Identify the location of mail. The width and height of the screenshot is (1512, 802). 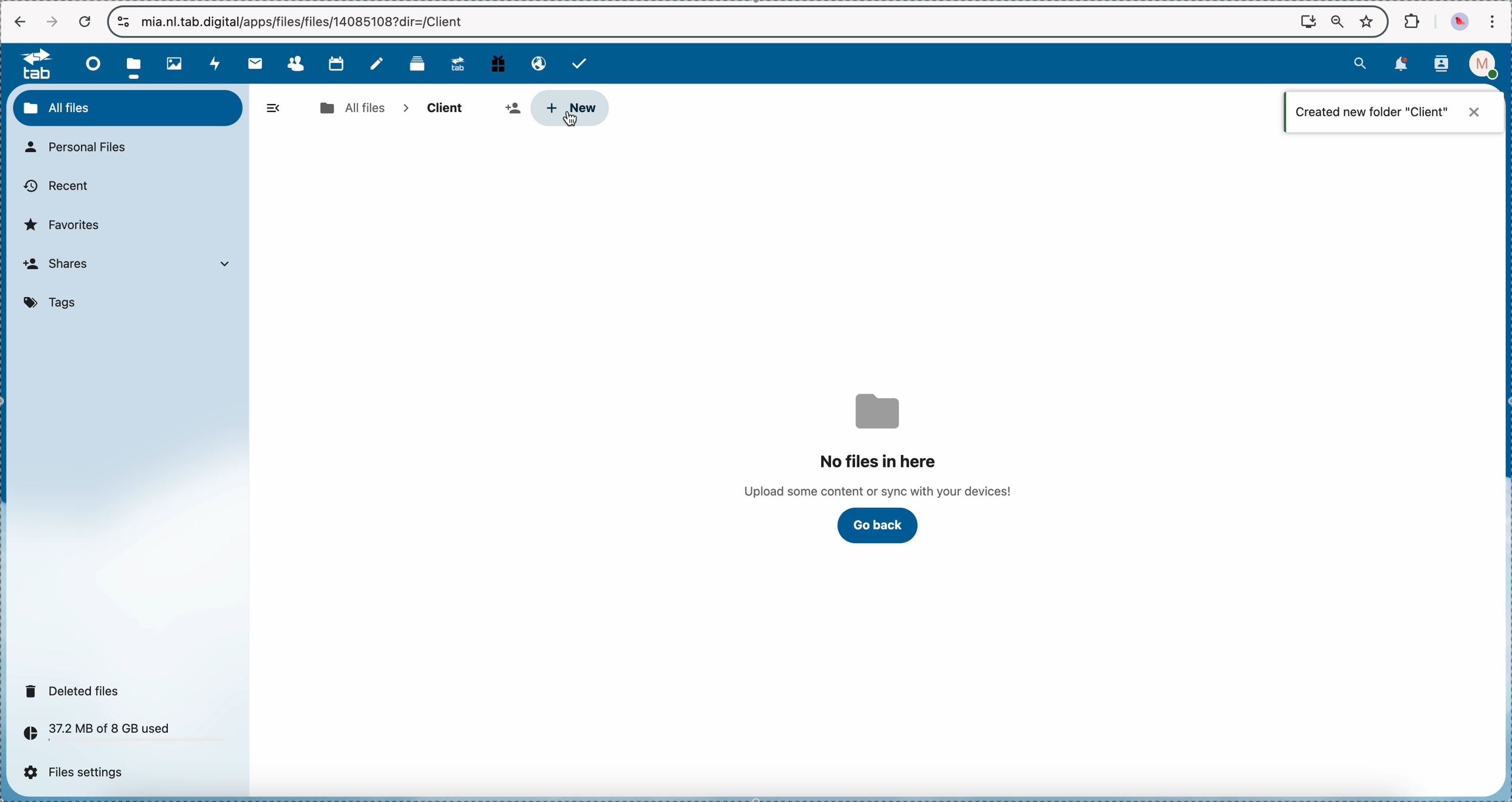
(254, 63).